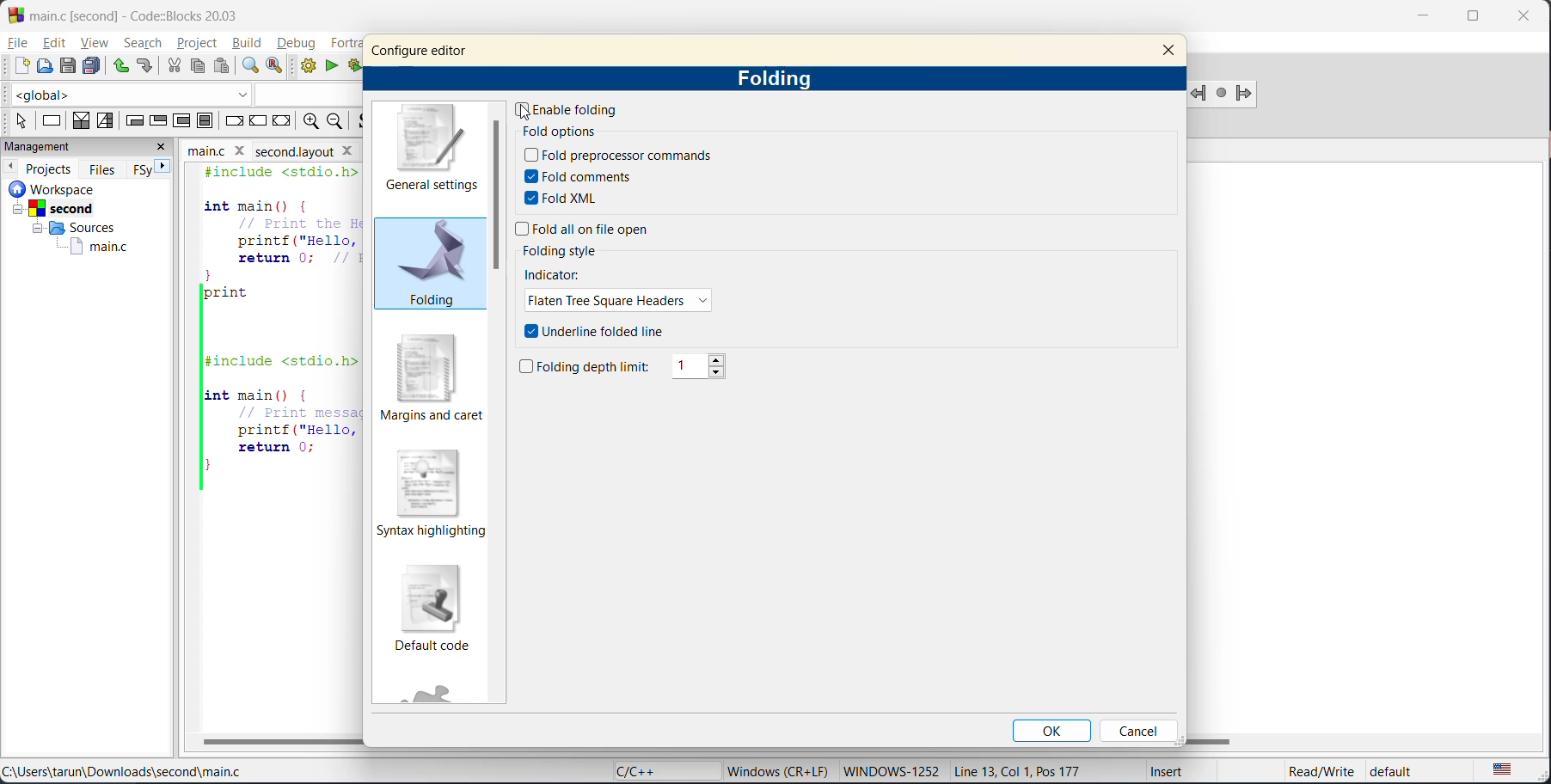  Describe the element at coordinates (1303, 771) in the screenshot. I see `Read/Write` at that location.